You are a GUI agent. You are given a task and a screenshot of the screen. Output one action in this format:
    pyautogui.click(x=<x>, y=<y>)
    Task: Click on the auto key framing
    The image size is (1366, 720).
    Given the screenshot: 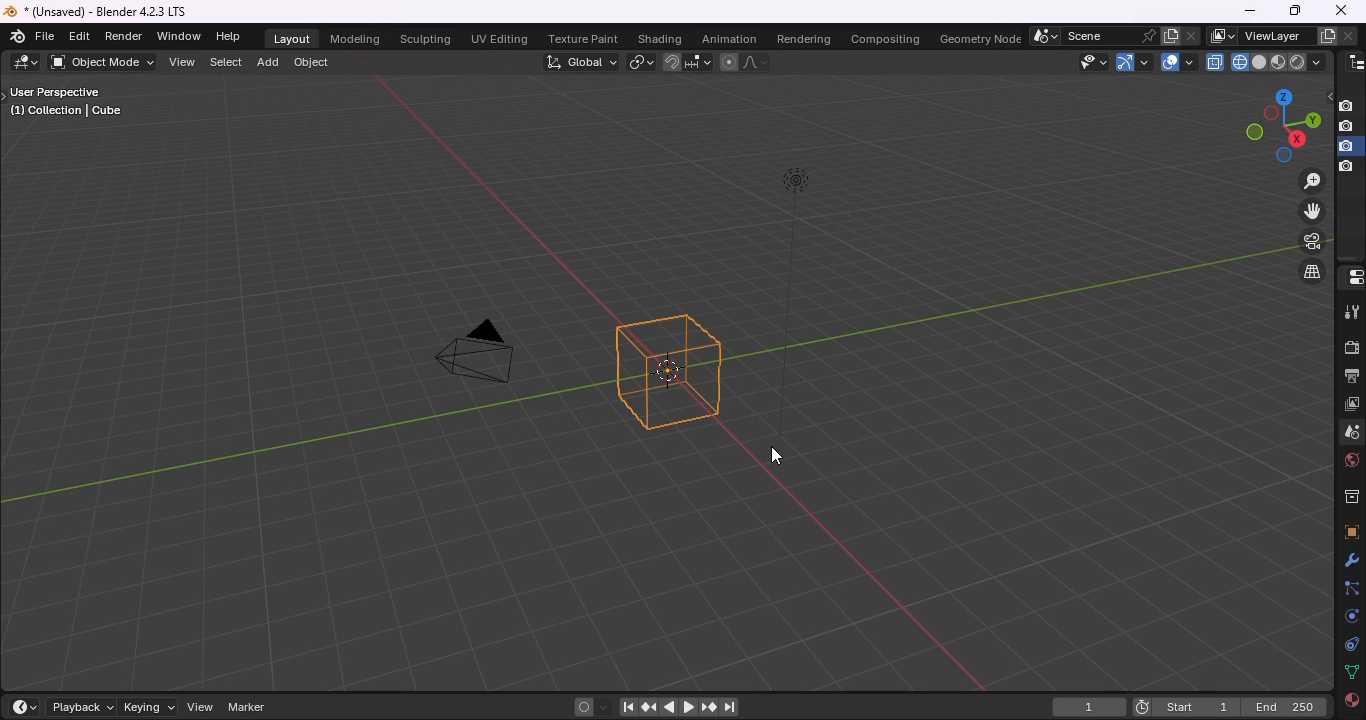 What is the action you would take?
    pyautogui.click(x=607, y=708)
    